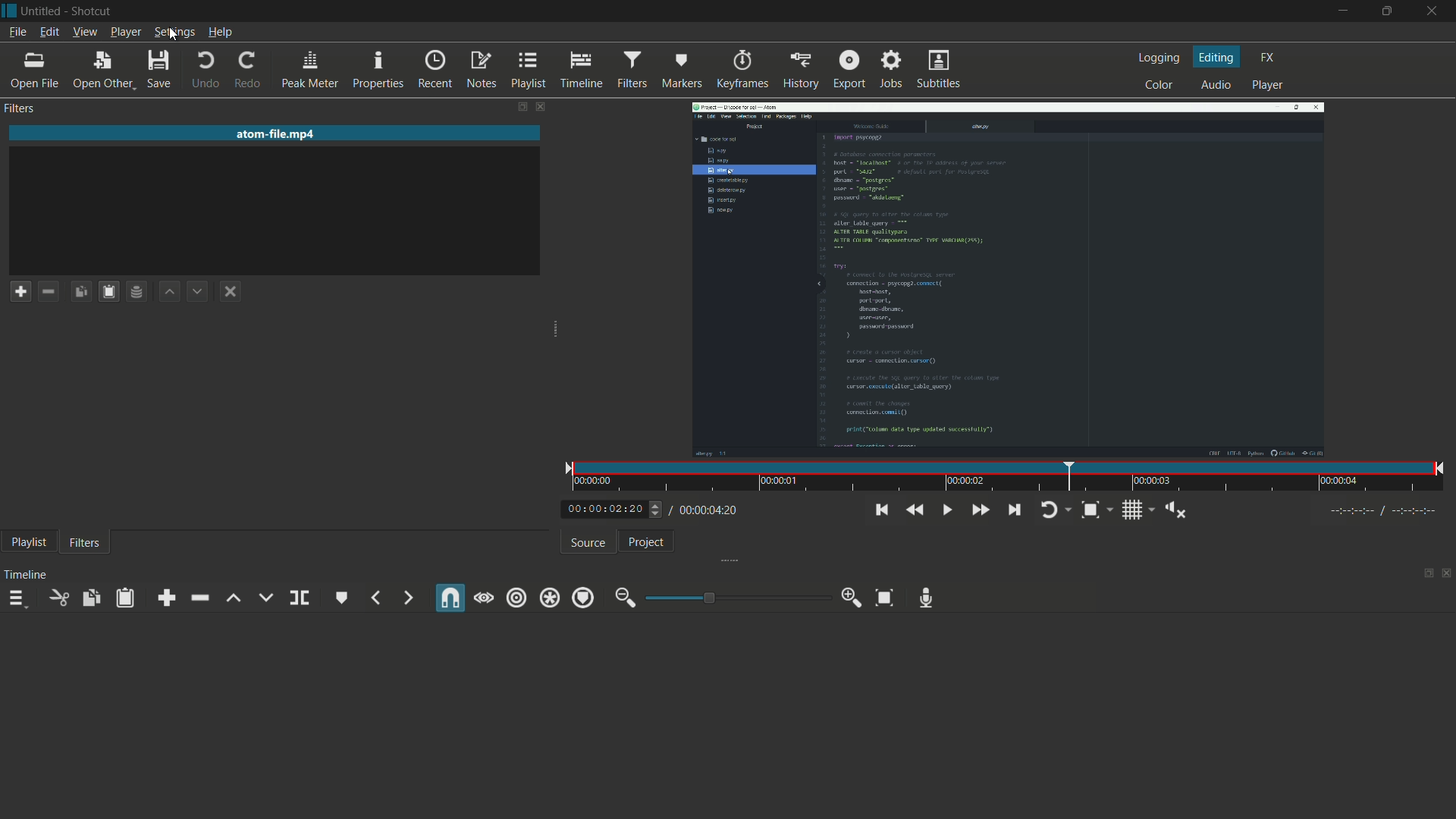 The height and width of the screenshot is (819, 1456). I want to click on toggle play or pause, so click(946, 510).